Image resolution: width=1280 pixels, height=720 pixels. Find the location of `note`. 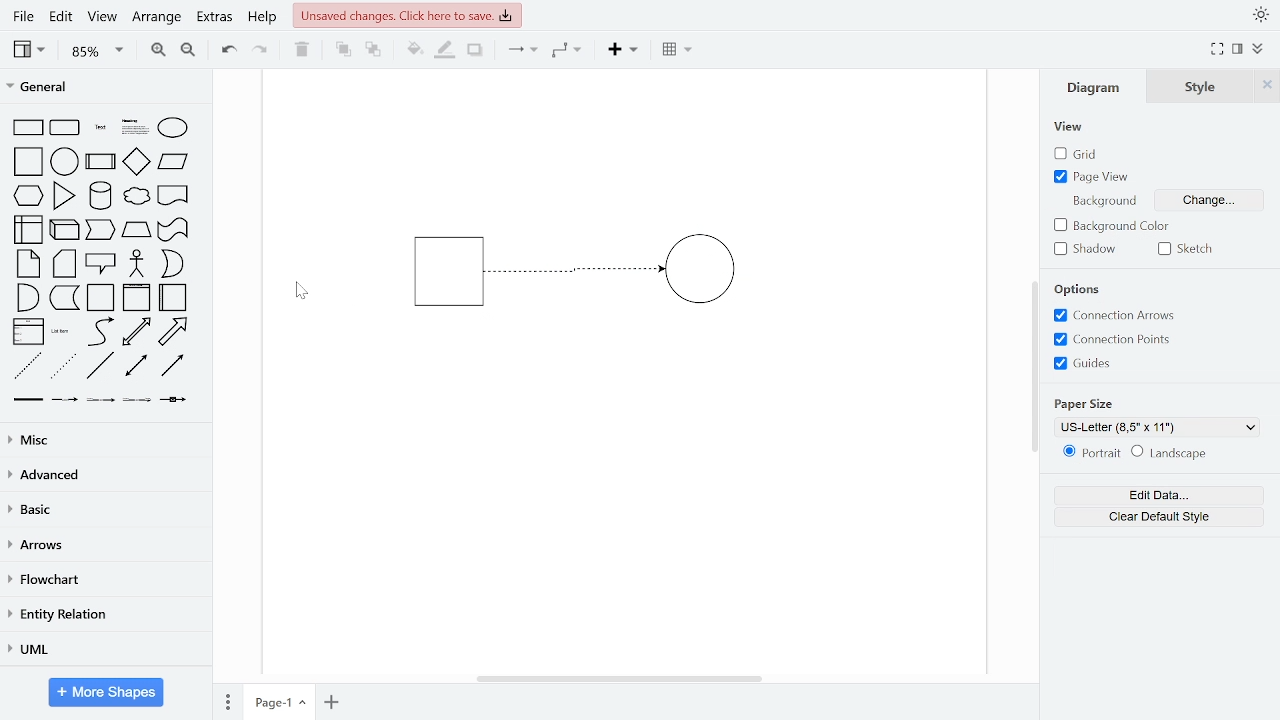

note is located at coordinates (30, 263).